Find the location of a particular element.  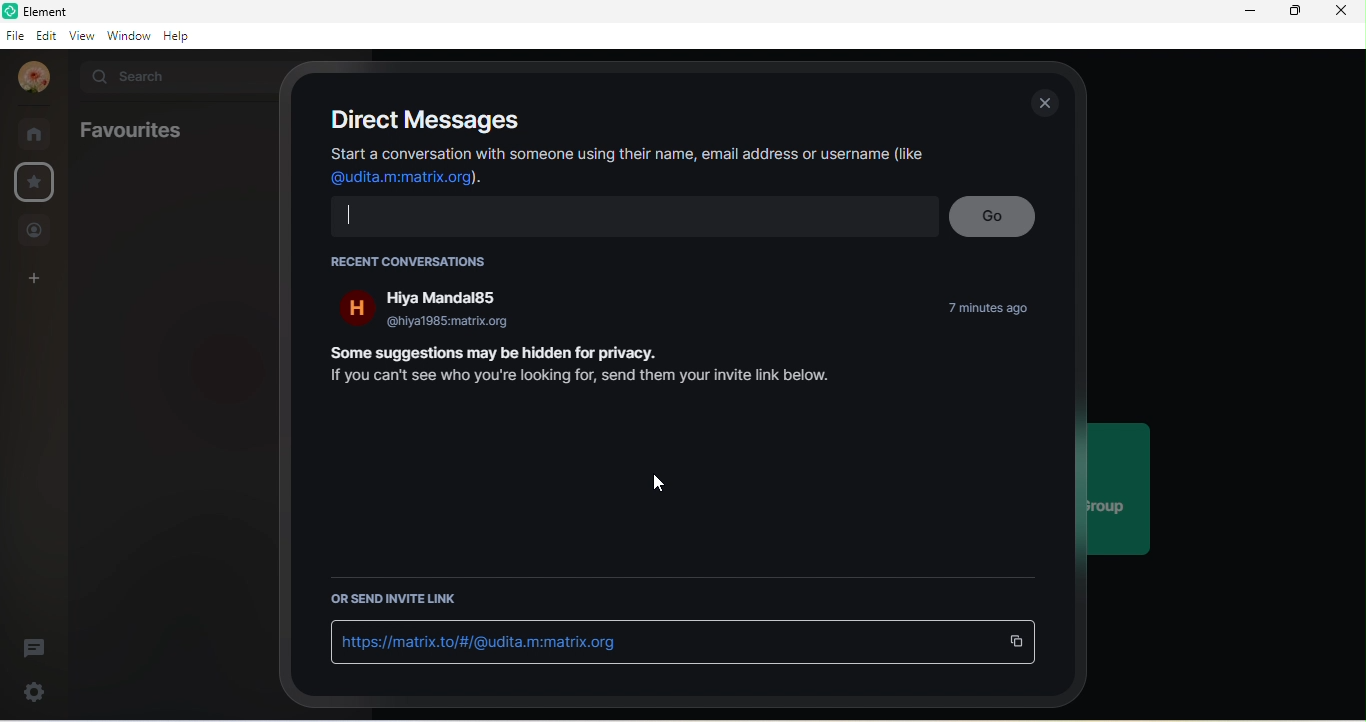

view is located at coordinates (82, 35).